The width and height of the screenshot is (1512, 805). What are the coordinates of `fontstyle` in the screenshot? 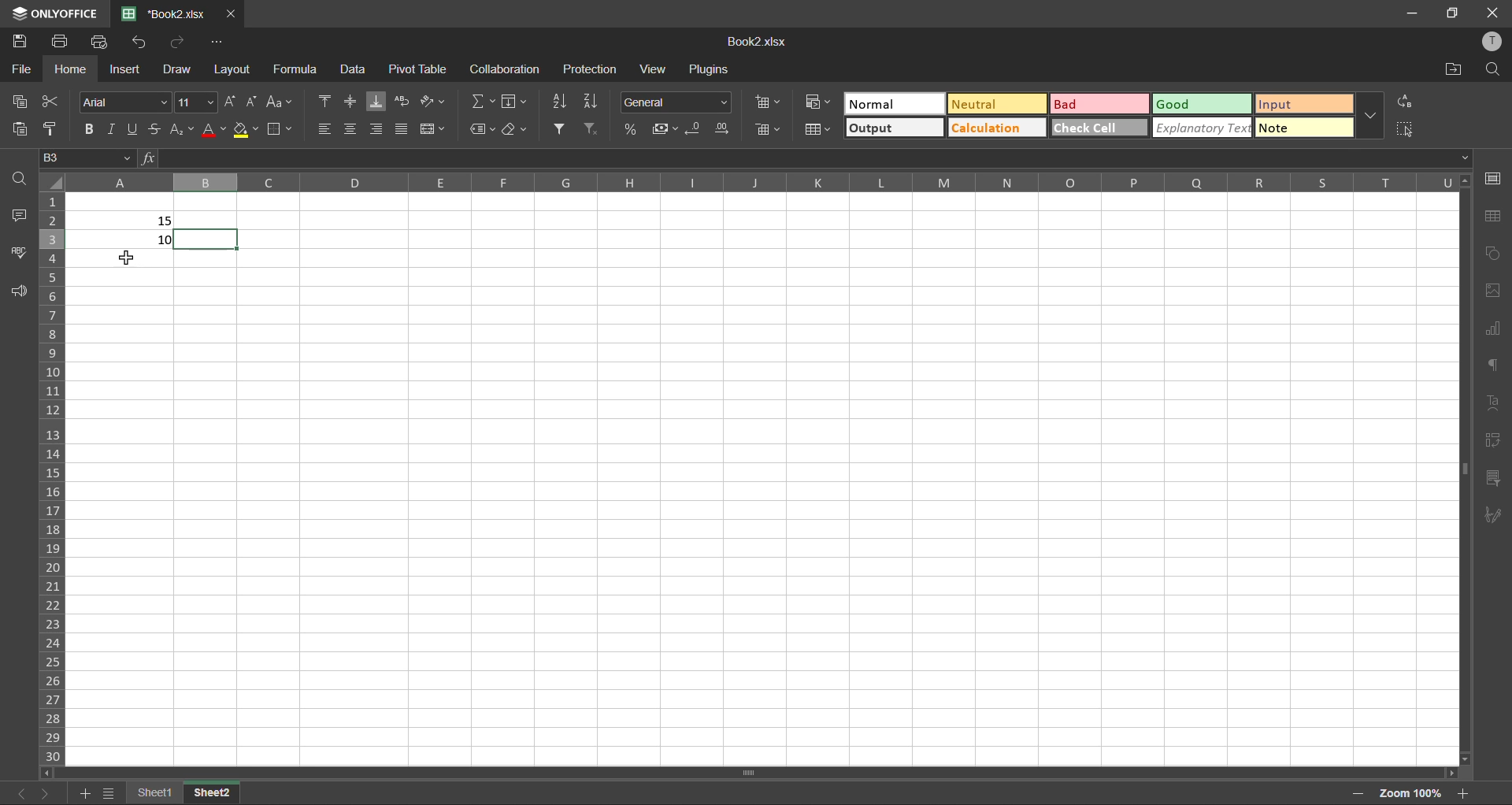 It's located at (123, 100).